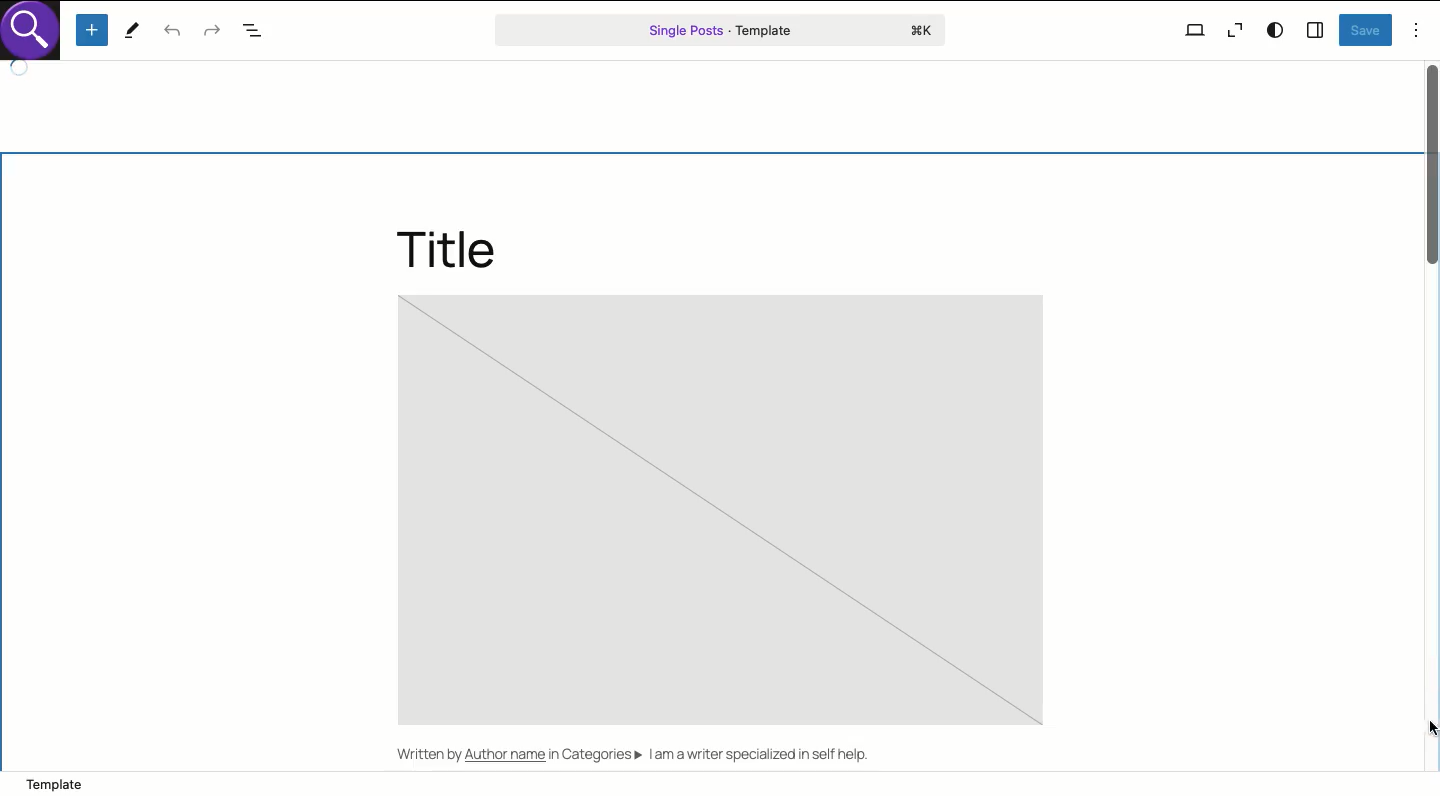 The width and height of the screenshot is (1440, 796). What do you see at coordinates (1316, 28) in the screenshot?
I see `Sidebar` at bounding box center [1316, 28].